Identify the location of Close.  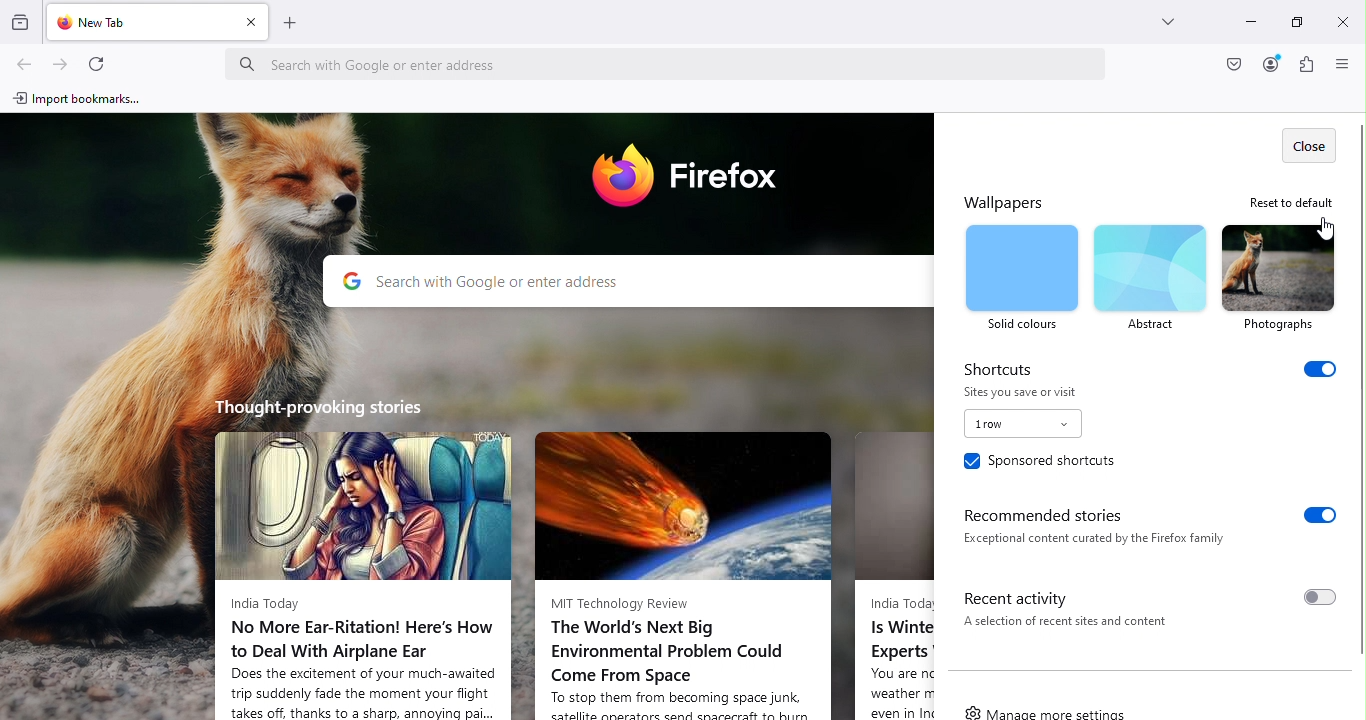
(1343, 18).